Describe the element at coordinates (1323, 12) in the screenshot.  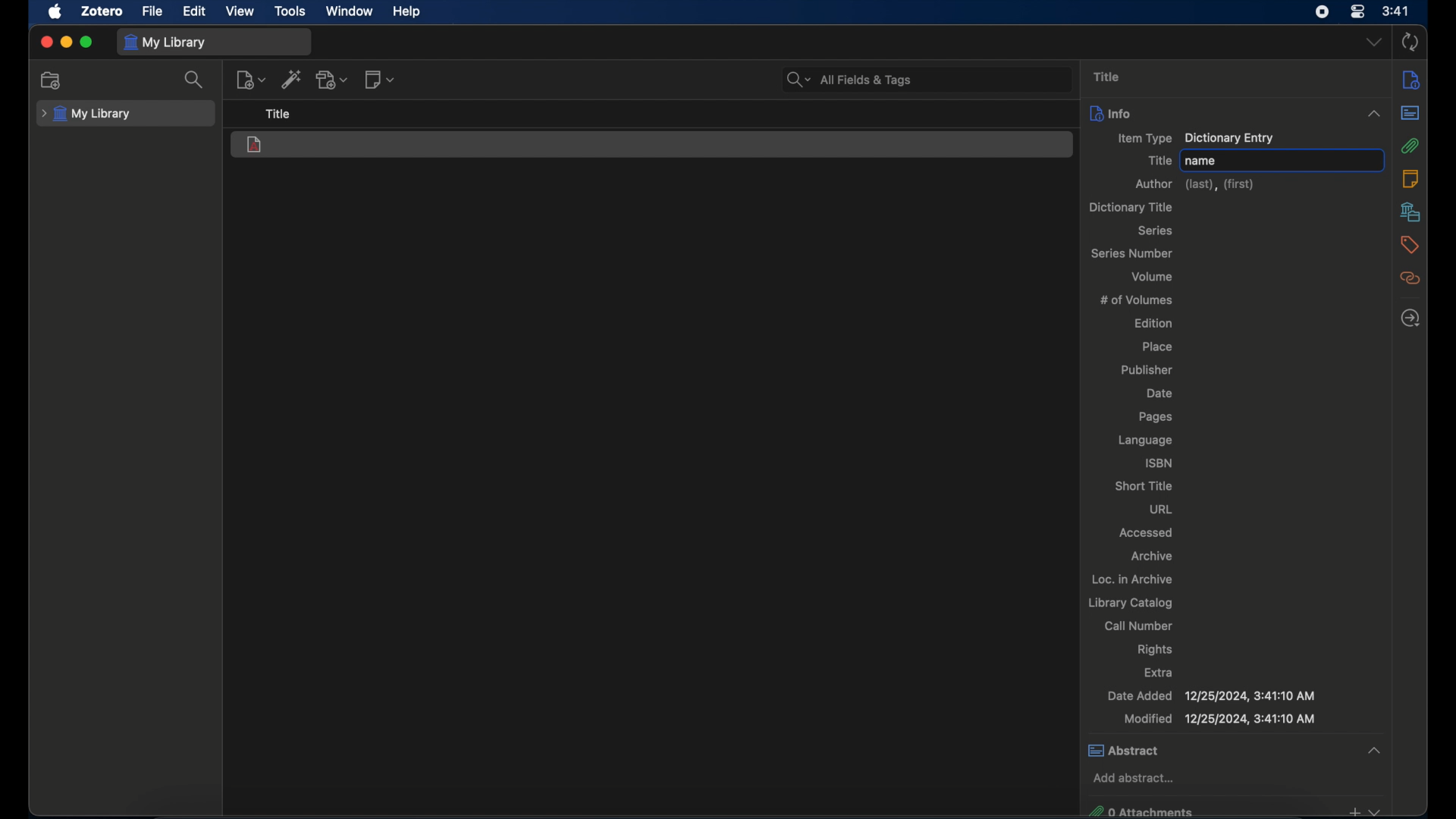
I see `screen recorder` at that location.